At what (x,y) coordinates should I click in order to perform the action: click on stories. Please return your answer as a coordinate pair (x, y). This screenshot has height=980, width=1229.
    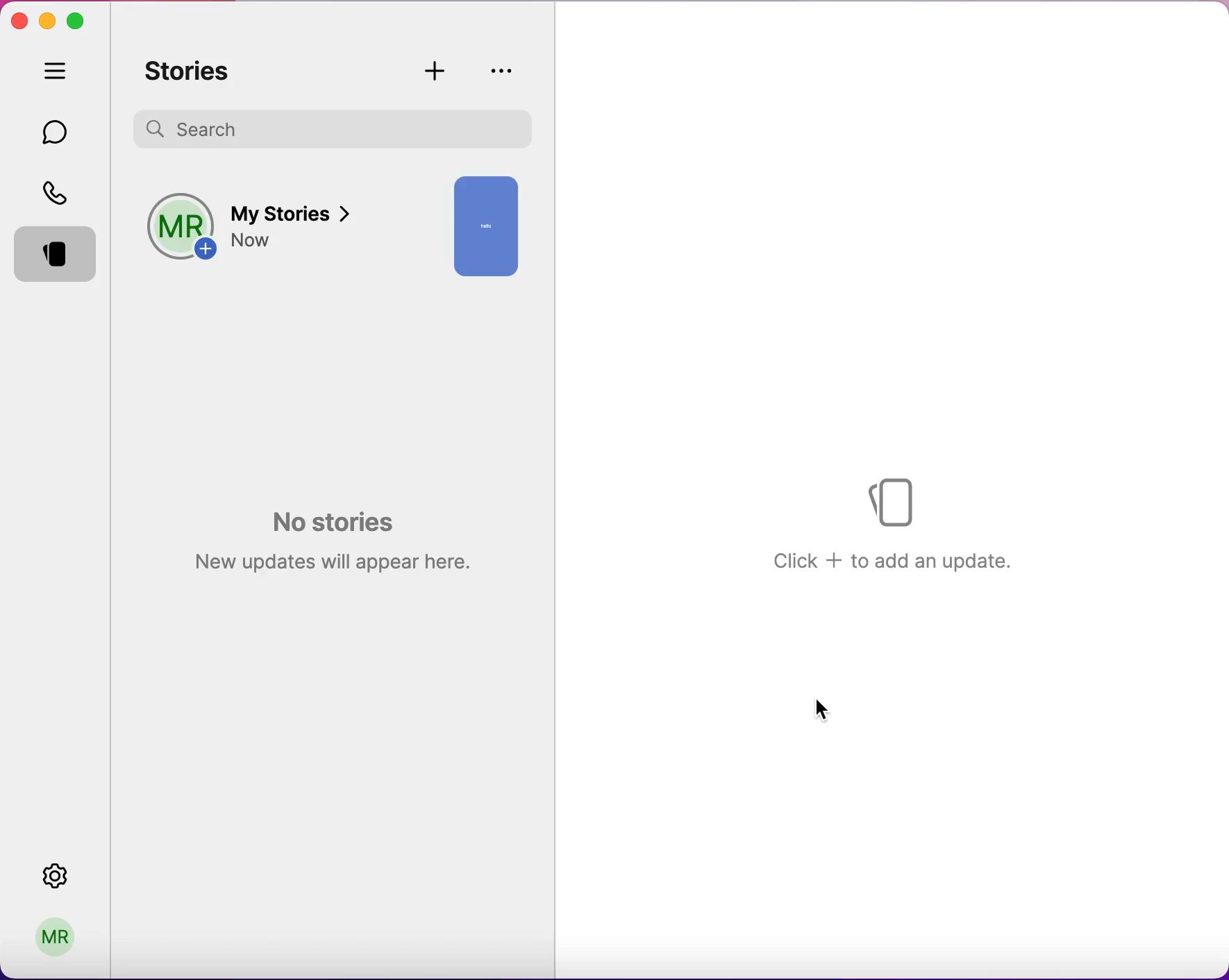
    Looking at the image, I should click on (195, 71).